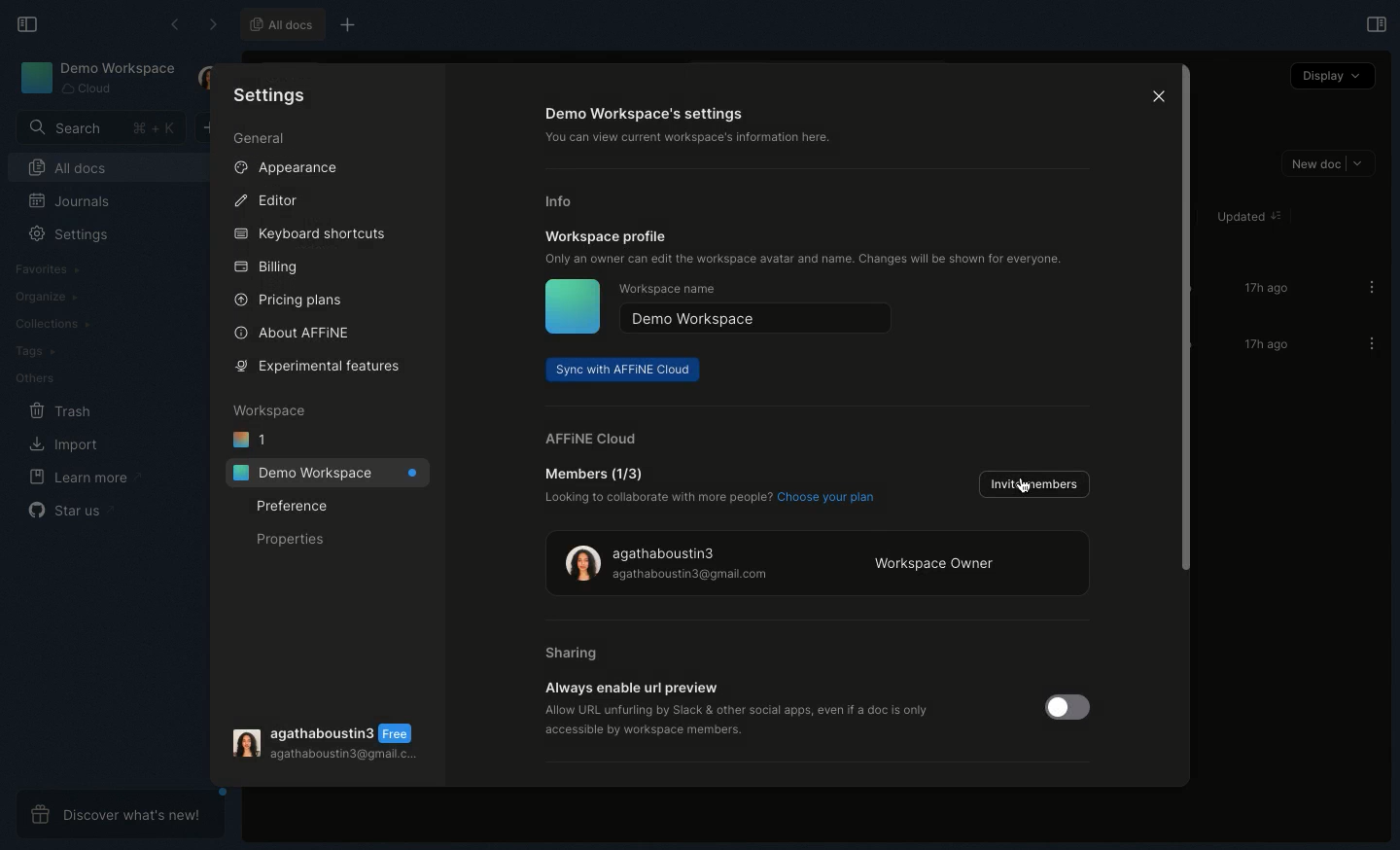 Image resolution: width=1400 pixels, height=850 pixels. I want to click on Sync with AFFINE cloud, so click(622, 371).